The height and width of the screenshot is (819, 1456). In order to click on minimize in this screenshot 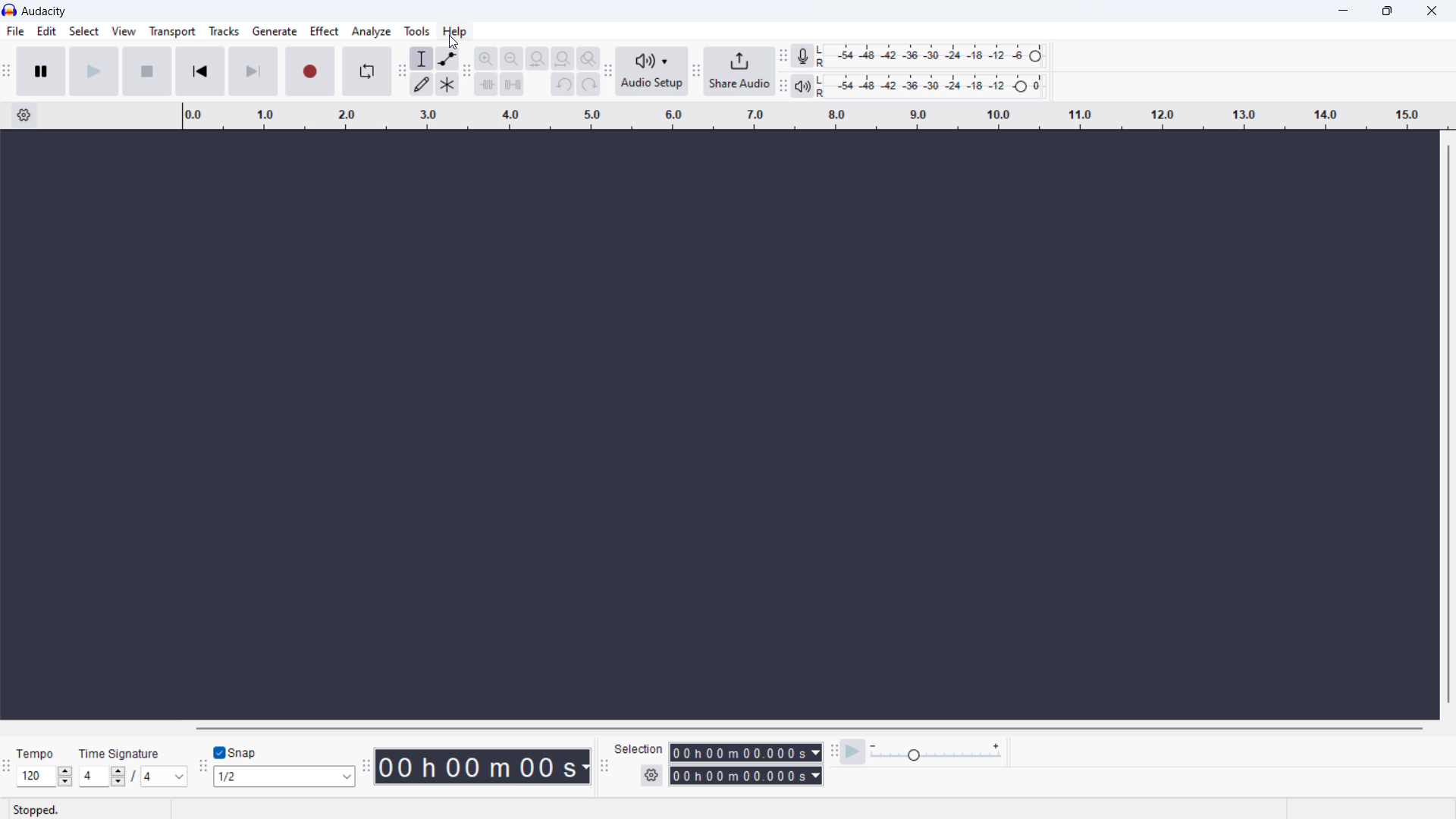, I will do `click(1339, 11)`.